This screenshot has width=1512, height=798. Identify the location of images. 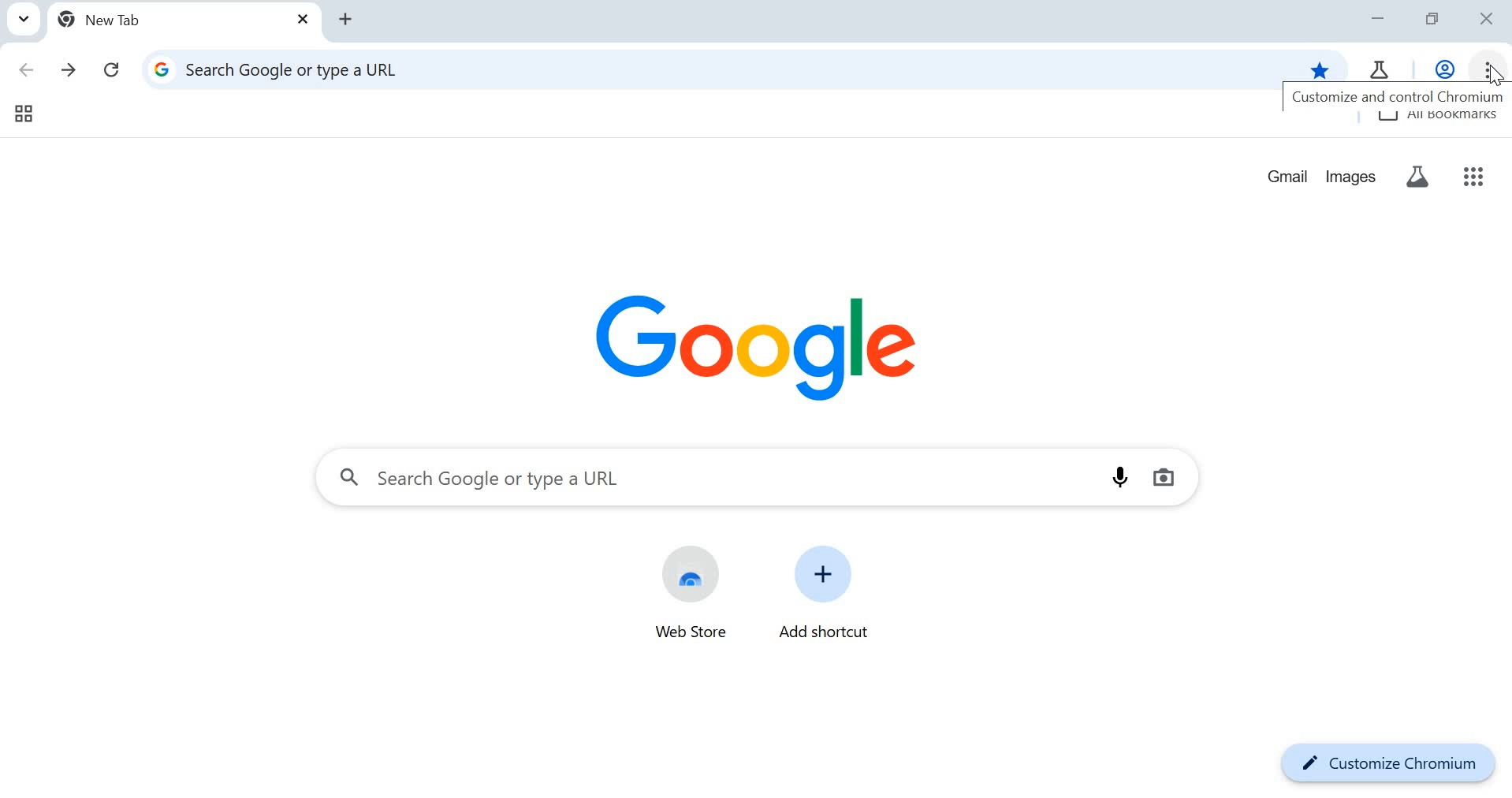
(1353, 176).